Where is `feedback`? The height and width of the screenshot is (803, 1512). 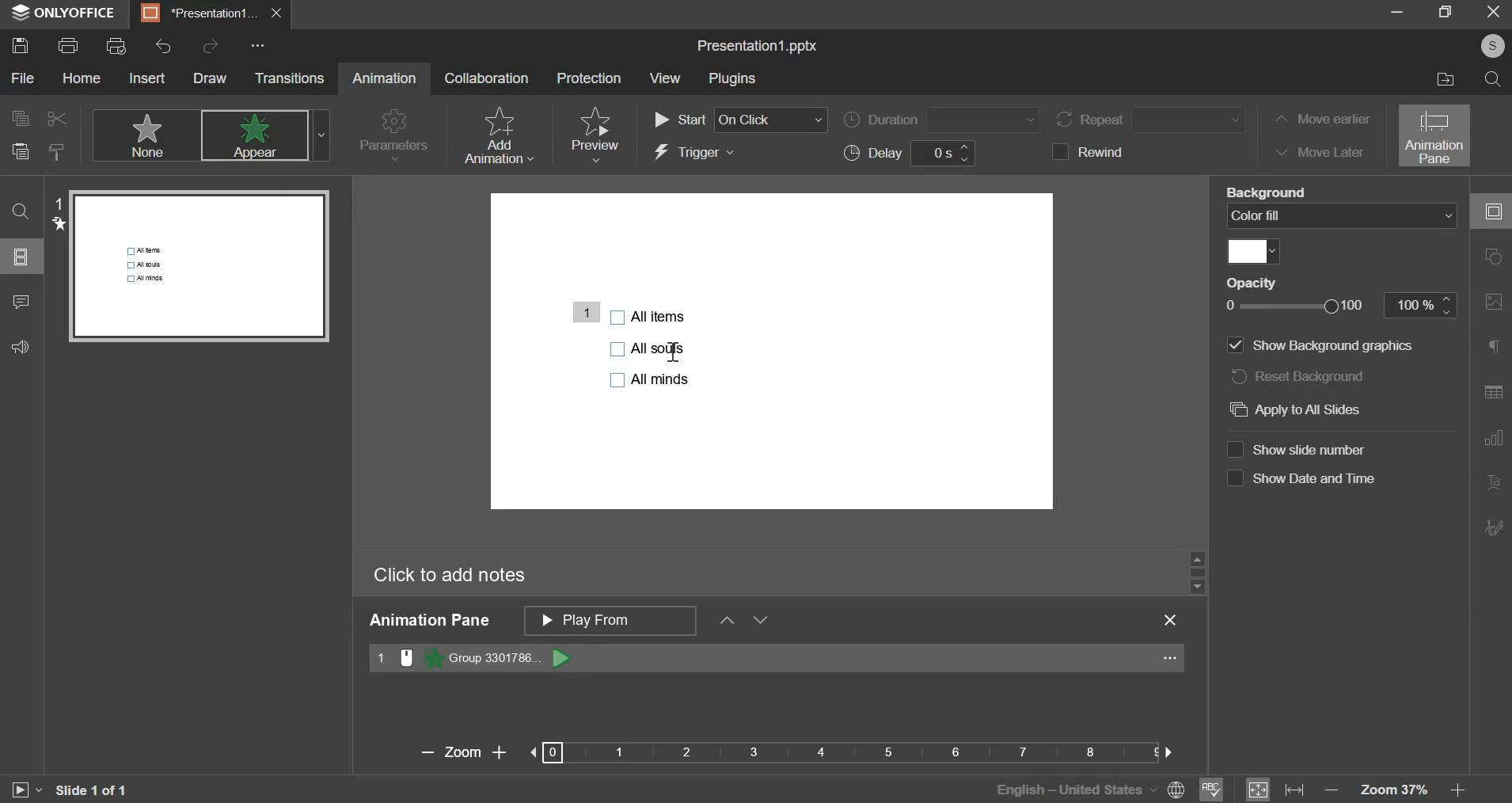
feedback is located at coordinates (28, 346).